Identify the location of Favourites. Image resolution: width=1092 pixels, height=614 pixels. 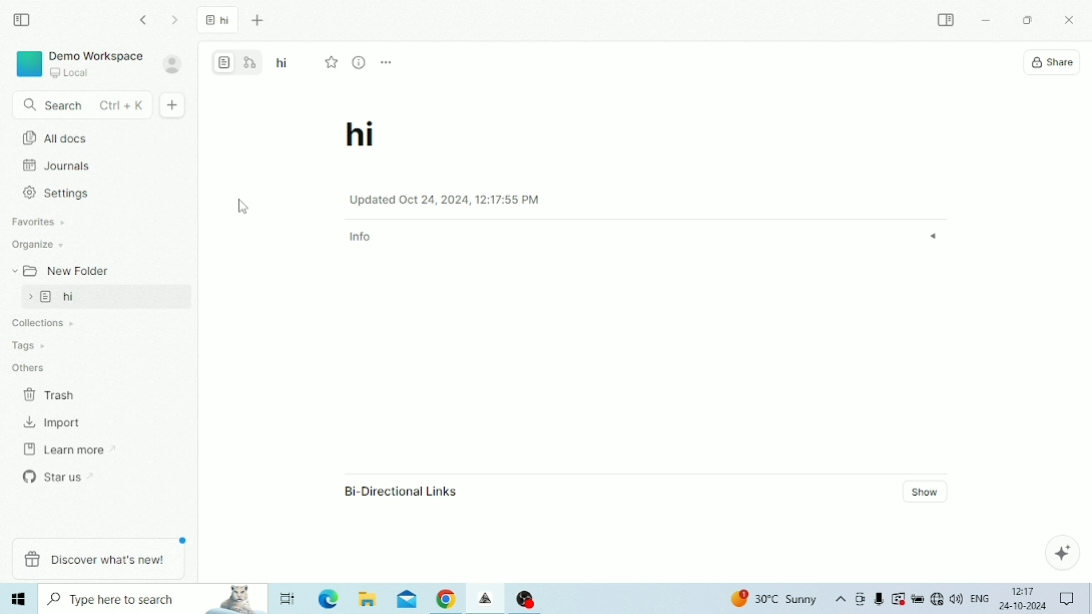
(40, 222).